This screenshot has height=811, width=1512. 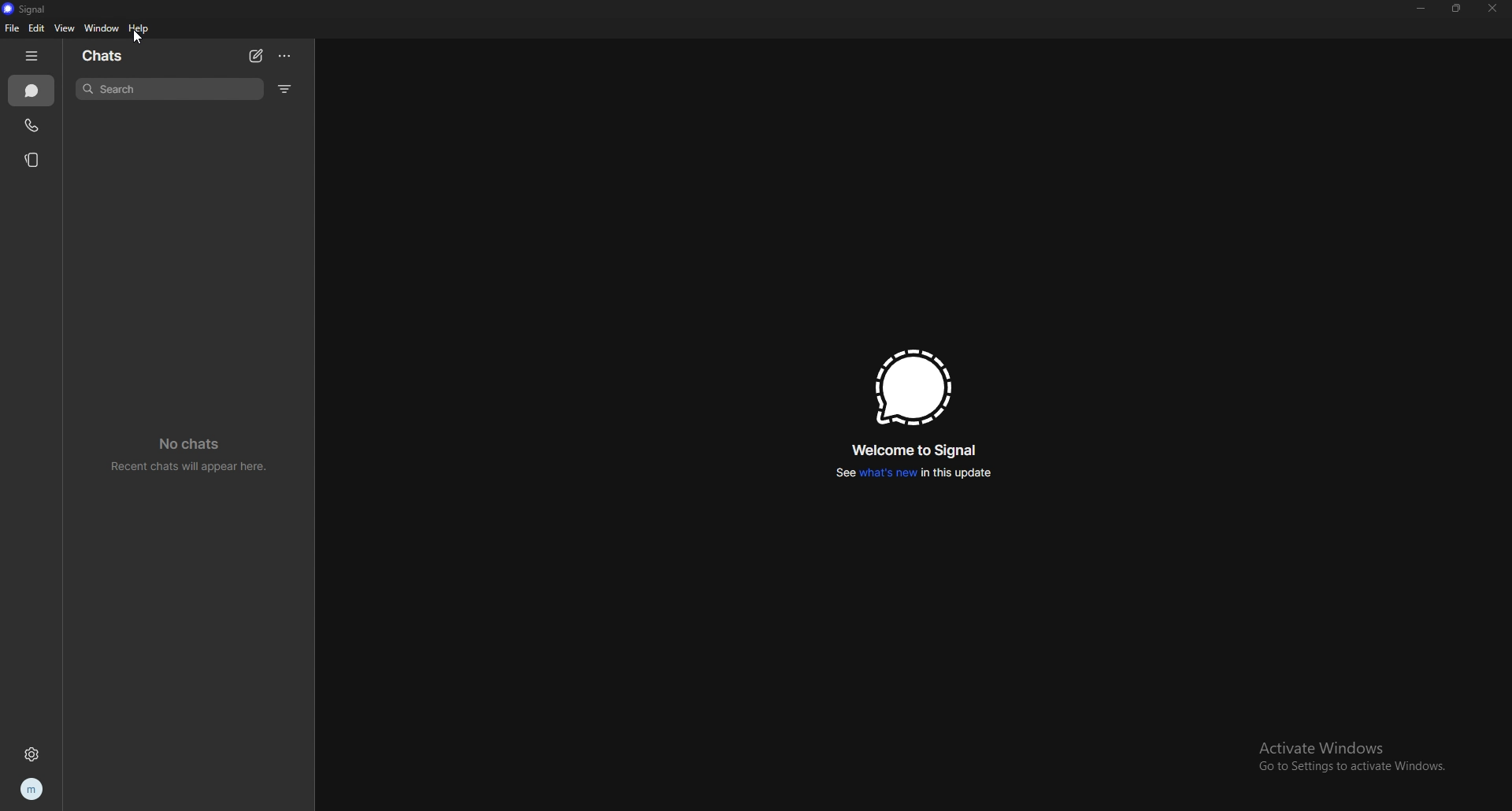 I want to click on resize, so click(x=1458, y=9).